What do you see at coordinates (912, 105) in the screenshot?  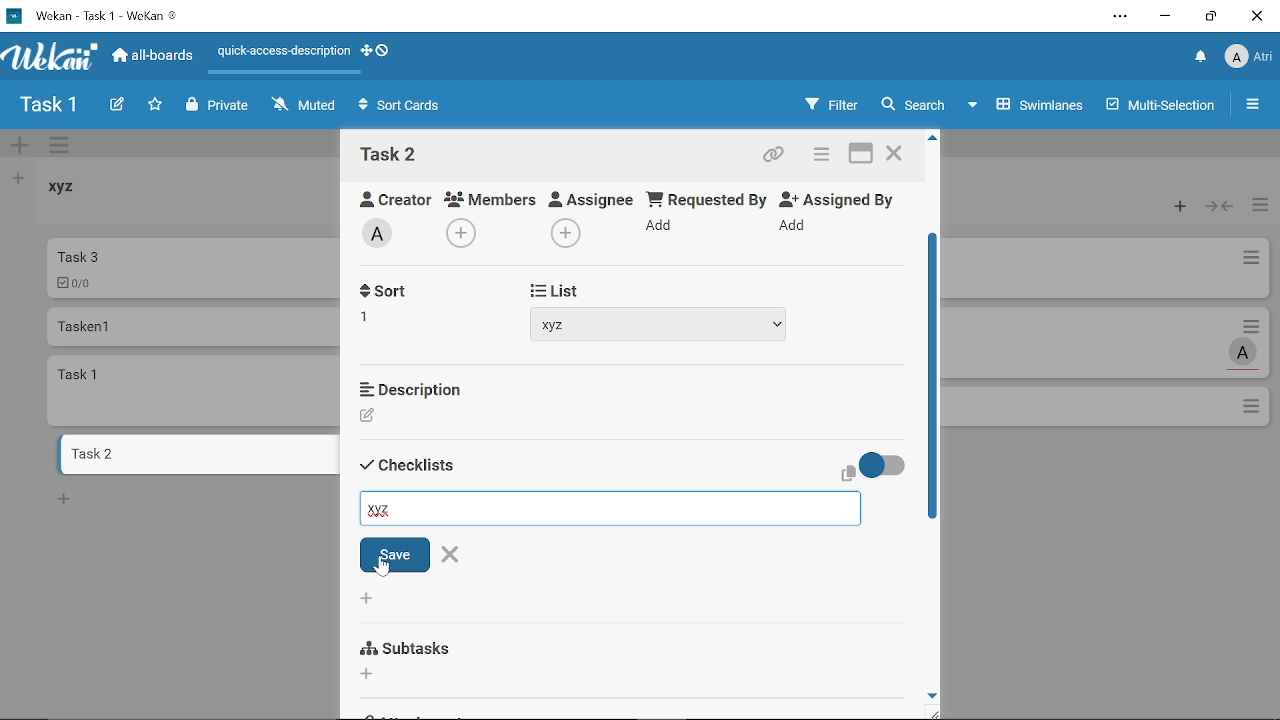 I see `Search` at bounding box center [912, 105].